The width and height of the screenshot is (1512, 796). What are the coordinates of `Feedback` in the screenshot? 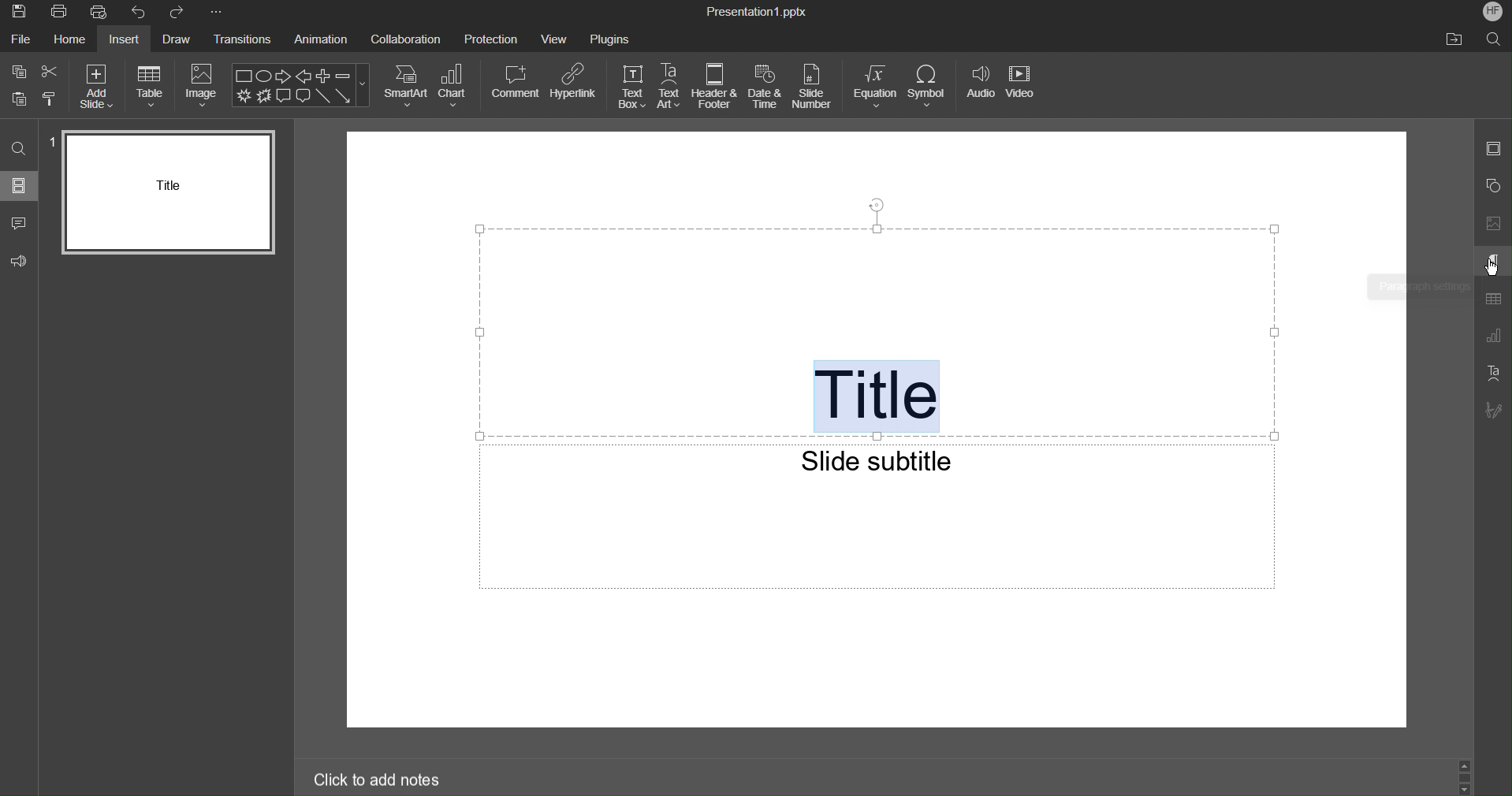 It's located at (22, 261).